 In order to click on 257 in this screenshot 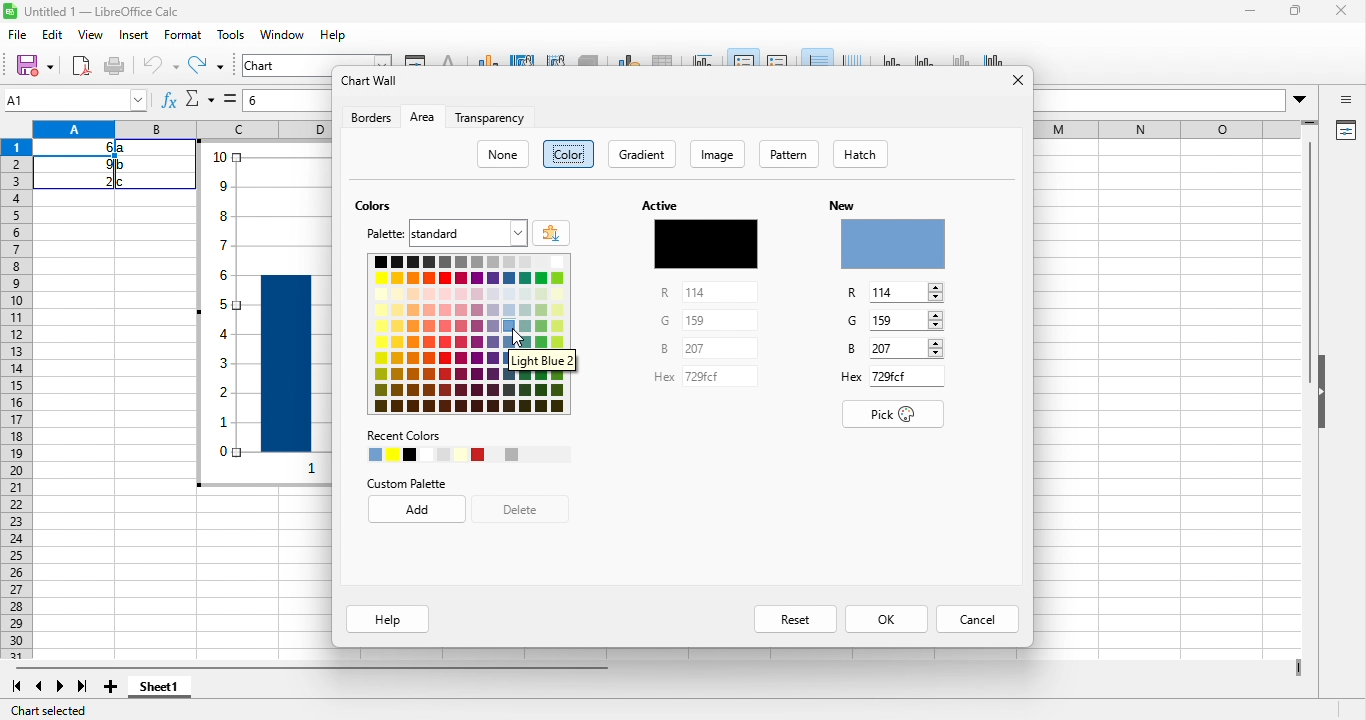, I will do `click(907, 350)`.